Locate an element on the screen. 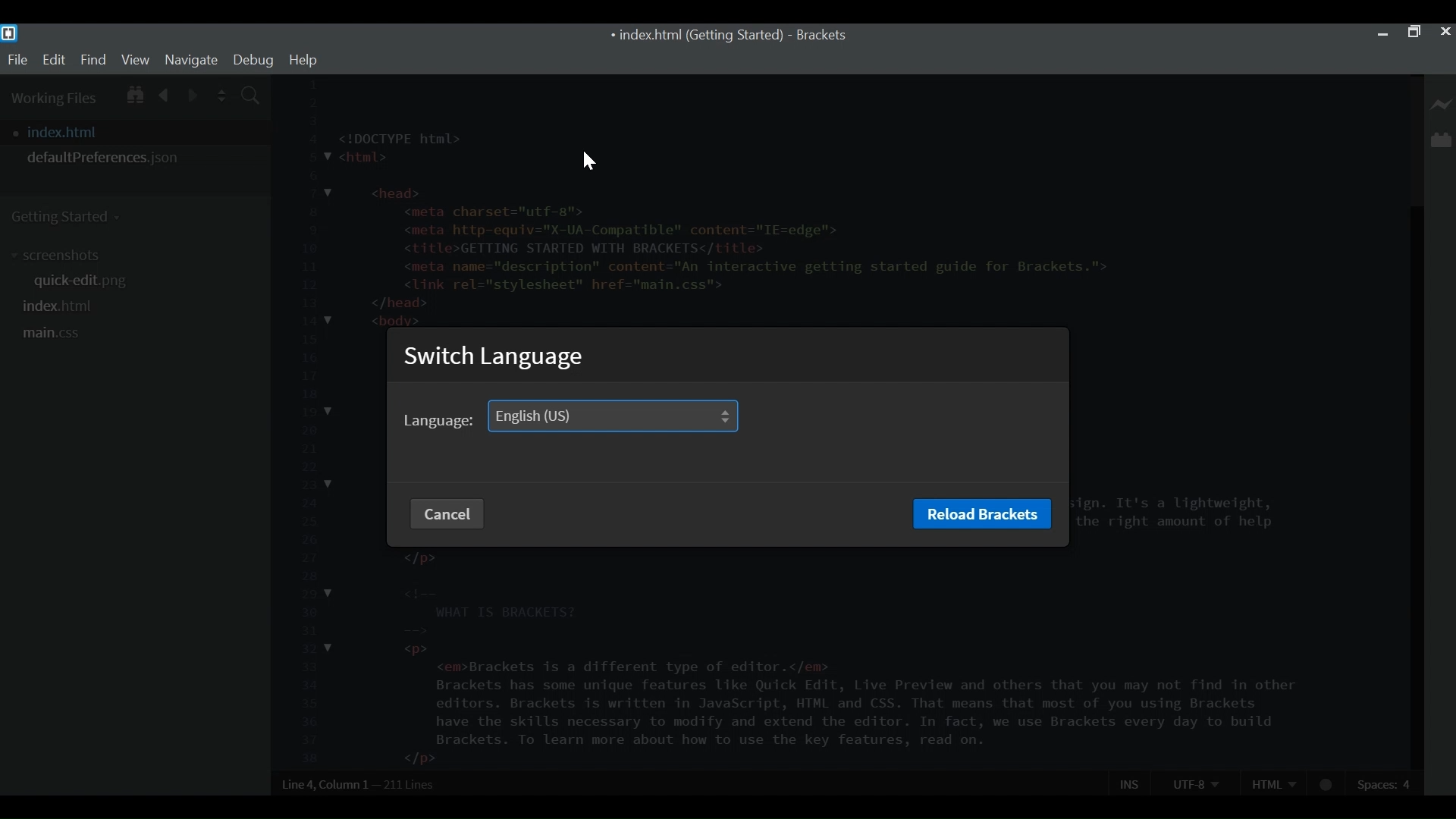 The height and width of the screenshot is (819, 1456). English (US) is located at coordinates (613, 416).